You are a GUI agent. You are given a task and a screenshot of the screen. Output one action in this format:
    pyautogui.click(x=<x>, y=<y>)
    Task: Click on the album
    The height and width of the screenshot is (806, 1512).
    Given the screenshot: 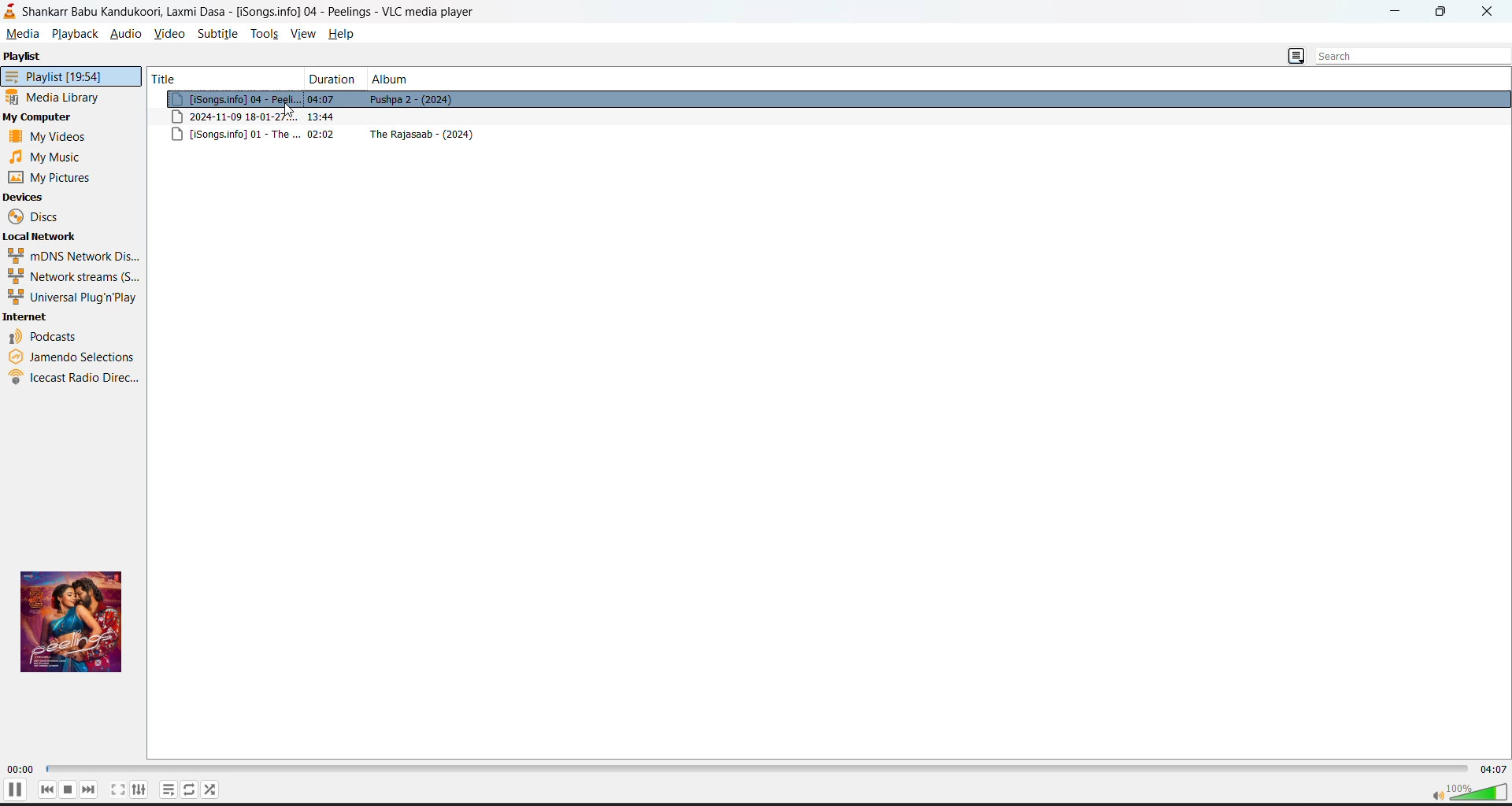 What is the action you would take?
    pyautogui.click(x=392, y=79)
    